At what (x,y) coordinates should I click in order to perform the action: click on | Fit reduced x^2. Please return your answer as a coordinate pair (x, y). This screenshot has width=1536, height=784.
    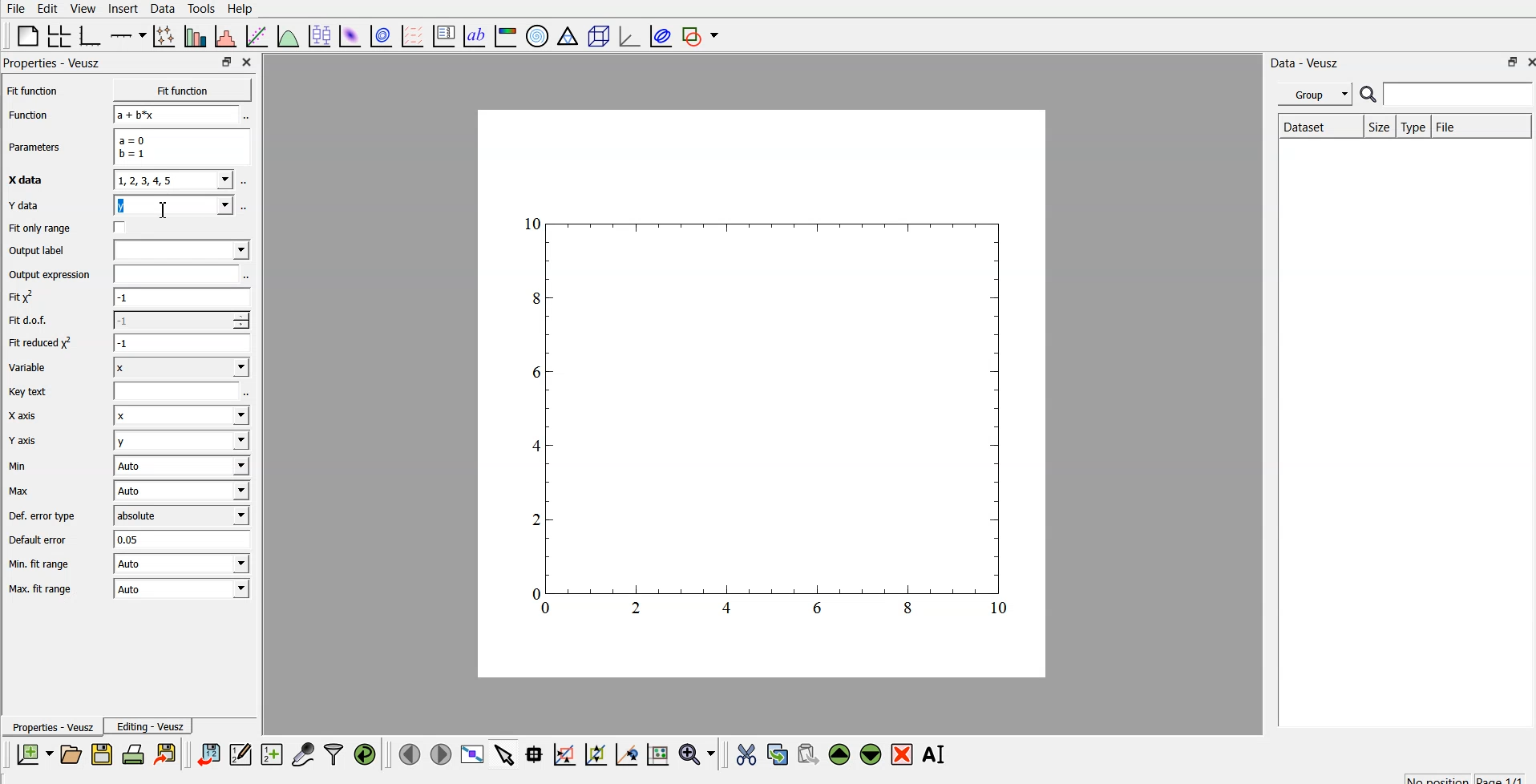
    Looking at the image, I should click on (39, 342).